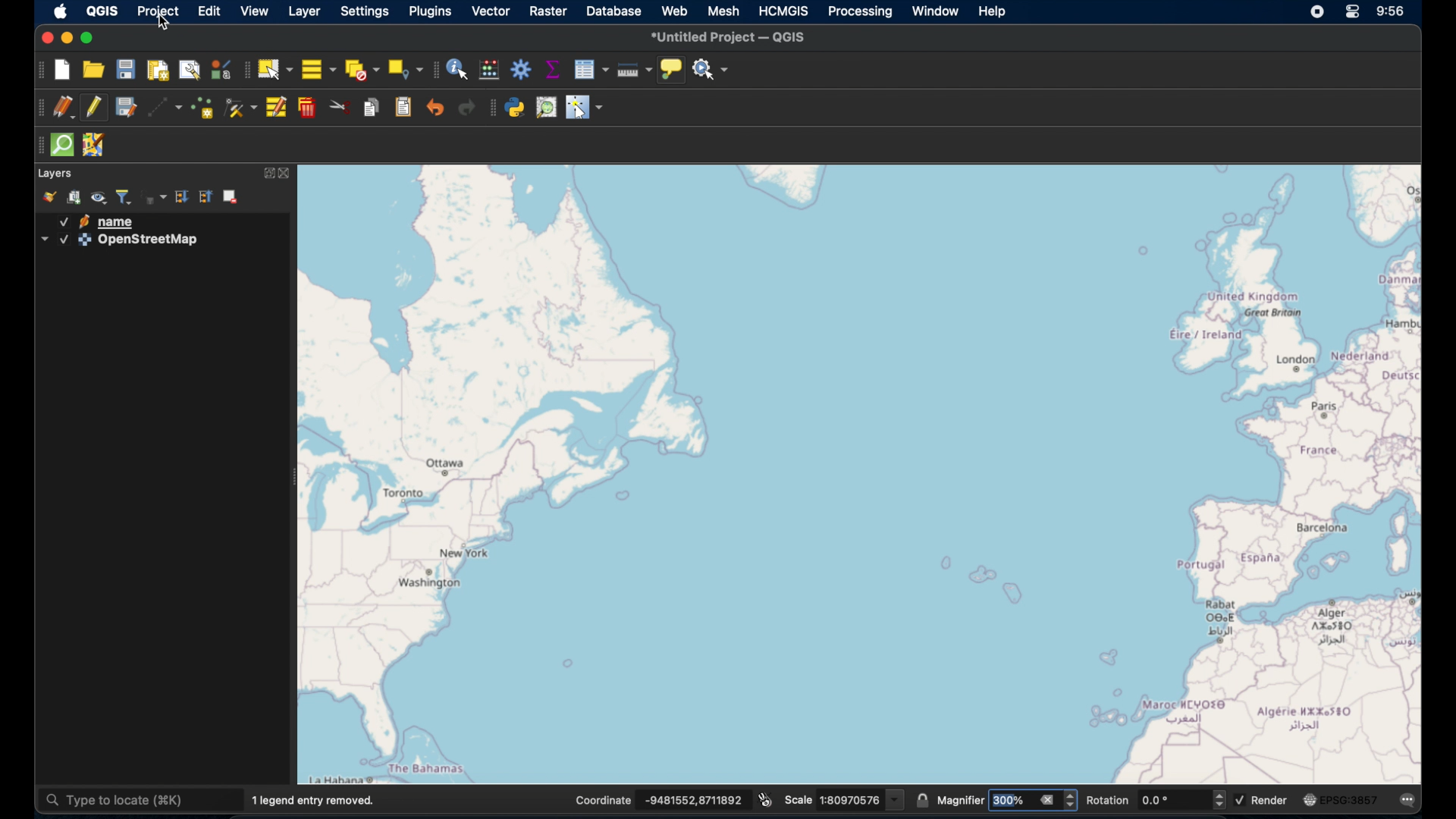 This screenshot has width=1456, height=819. Describe the element at coordinates (994, 12) in the screenshot. I see `help` at that location.